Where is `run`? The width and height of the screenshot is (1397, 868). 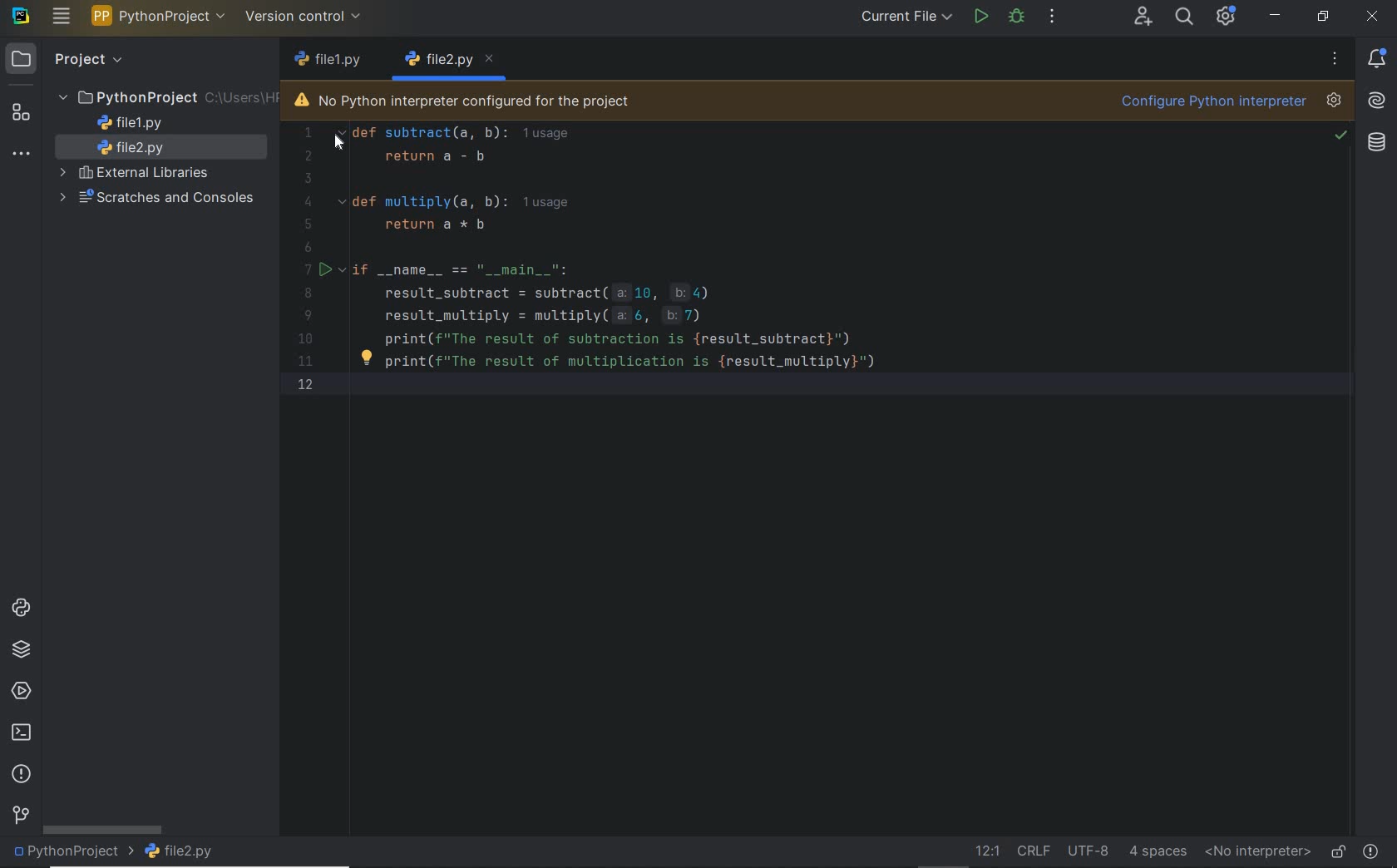
run is located at coordinates (981, 15).